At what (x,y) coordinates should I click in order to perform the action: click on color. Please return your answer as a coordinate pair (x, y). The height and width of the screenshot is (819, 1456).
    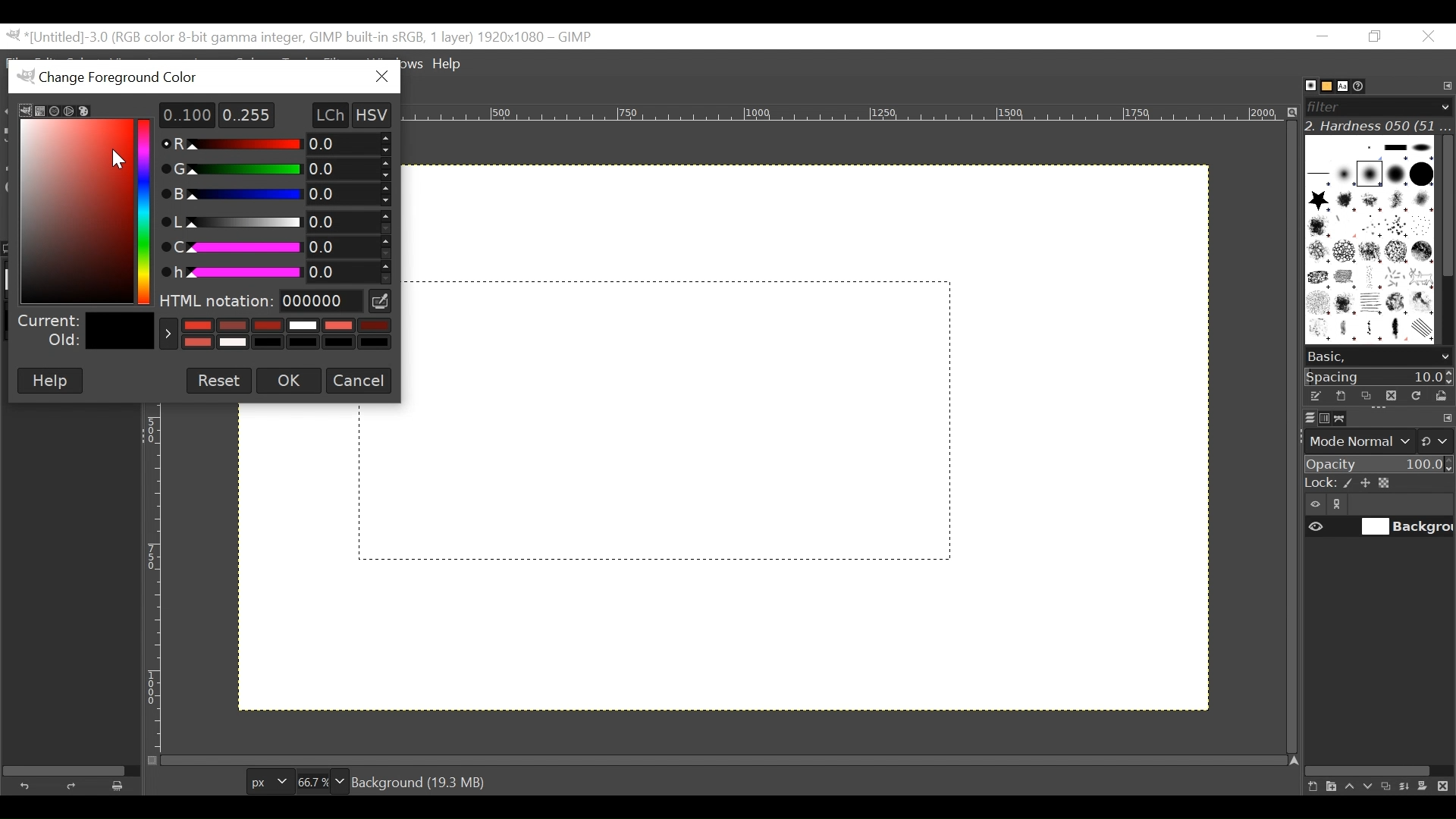
    Looking at the image, I should click on (76, 202).